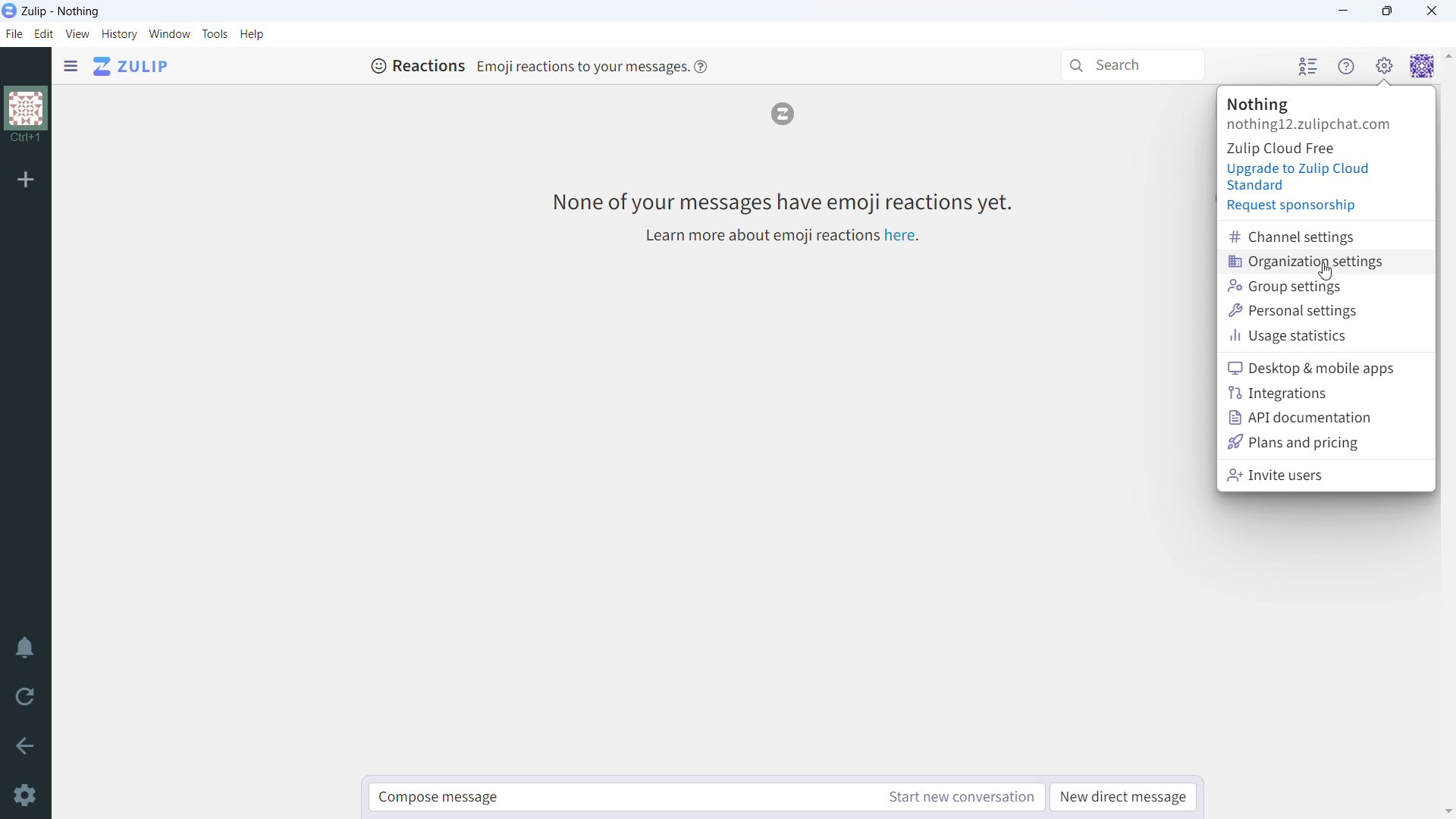 This screenshot has width=1456, height=819. I want to click on Emoji reactions to your messages, so click(581, 66).